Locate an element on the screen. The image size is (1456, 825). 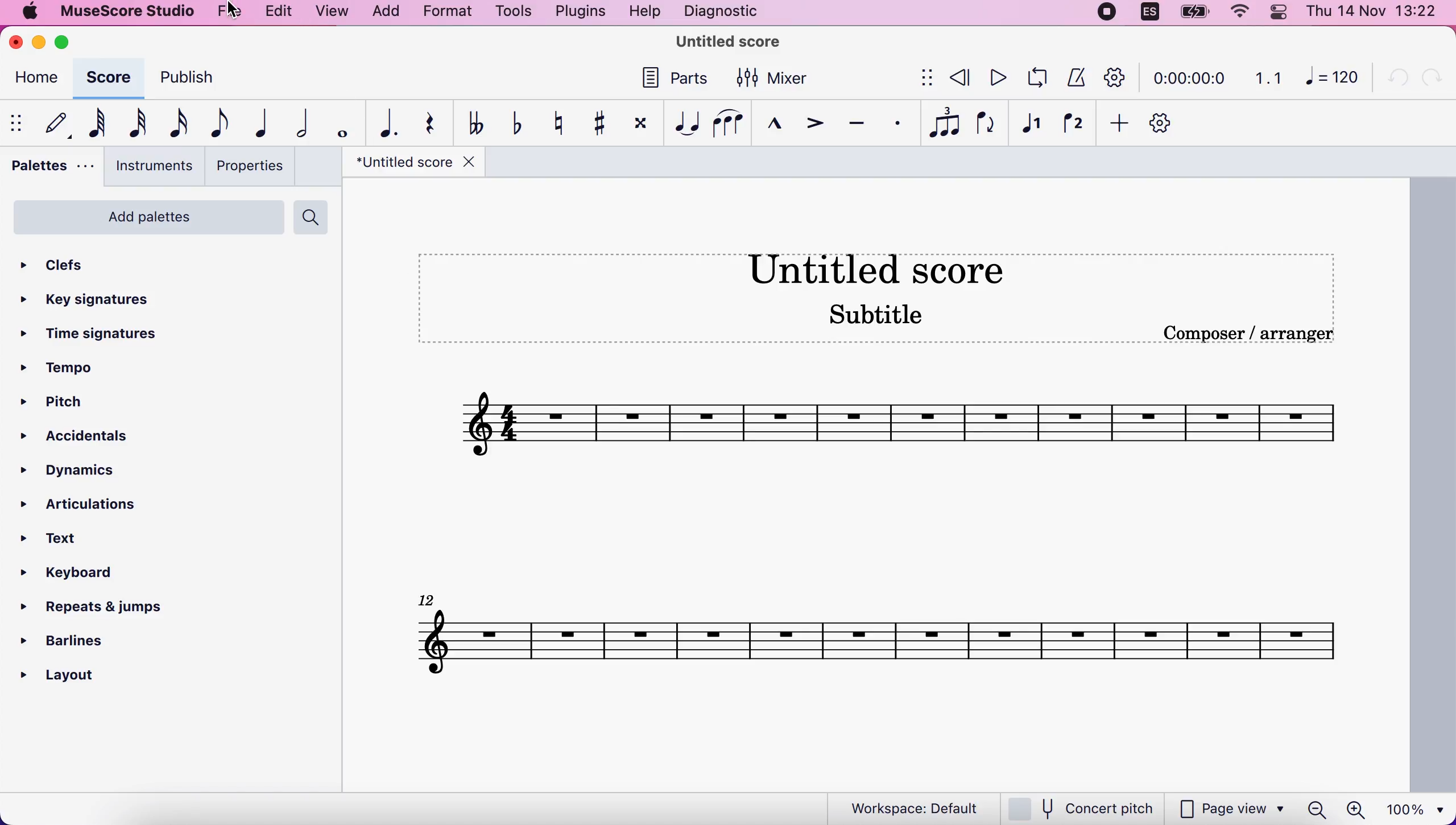
language is located at coordinates (1145, 13).